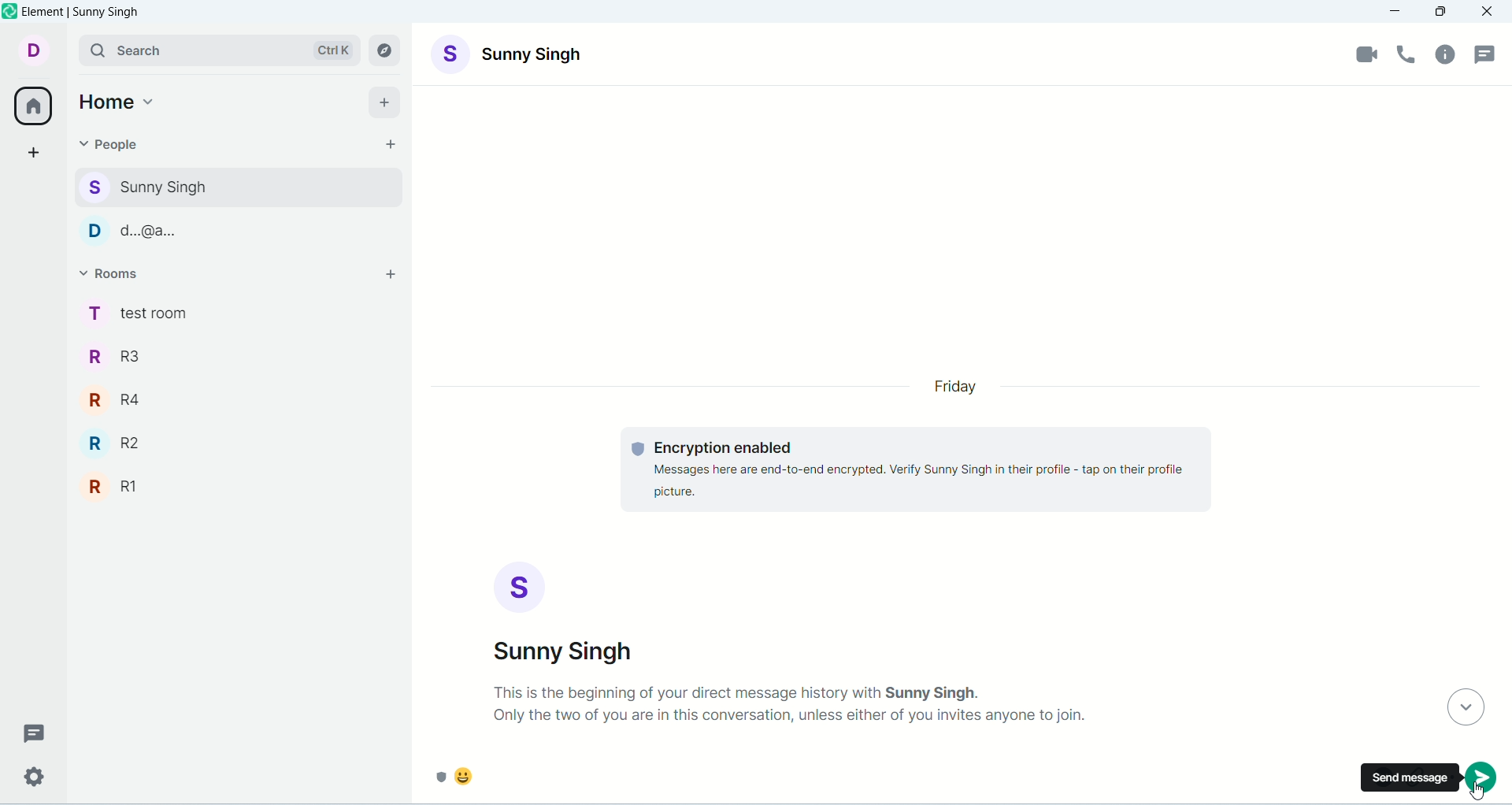  I want to click on home, so click(119, 100).